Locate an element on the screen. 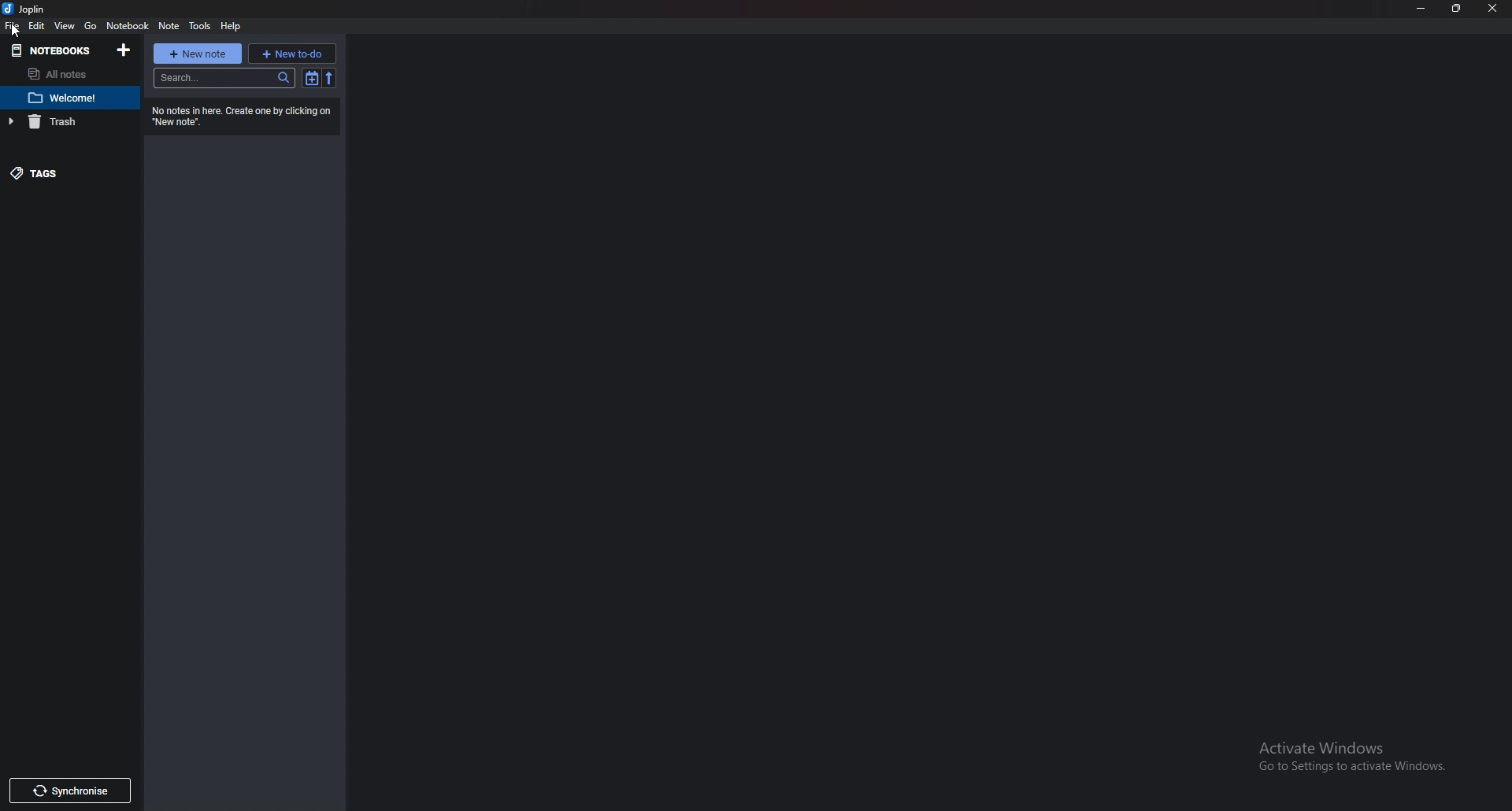 The image size is (1512, 811). Tools is located at coordinates (201, 25).